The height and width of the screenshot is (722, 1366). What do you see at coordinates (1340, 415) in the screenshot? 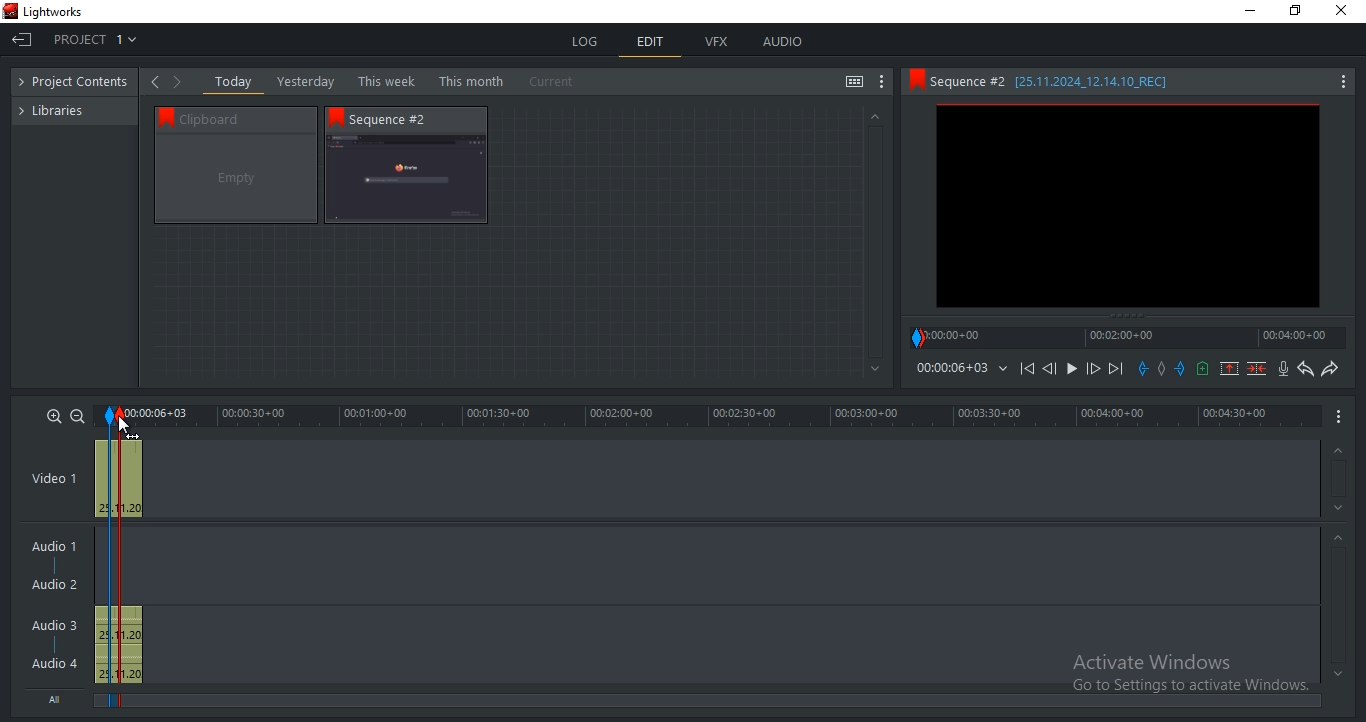
I see `show menu` at bounding box center [1340, 415].